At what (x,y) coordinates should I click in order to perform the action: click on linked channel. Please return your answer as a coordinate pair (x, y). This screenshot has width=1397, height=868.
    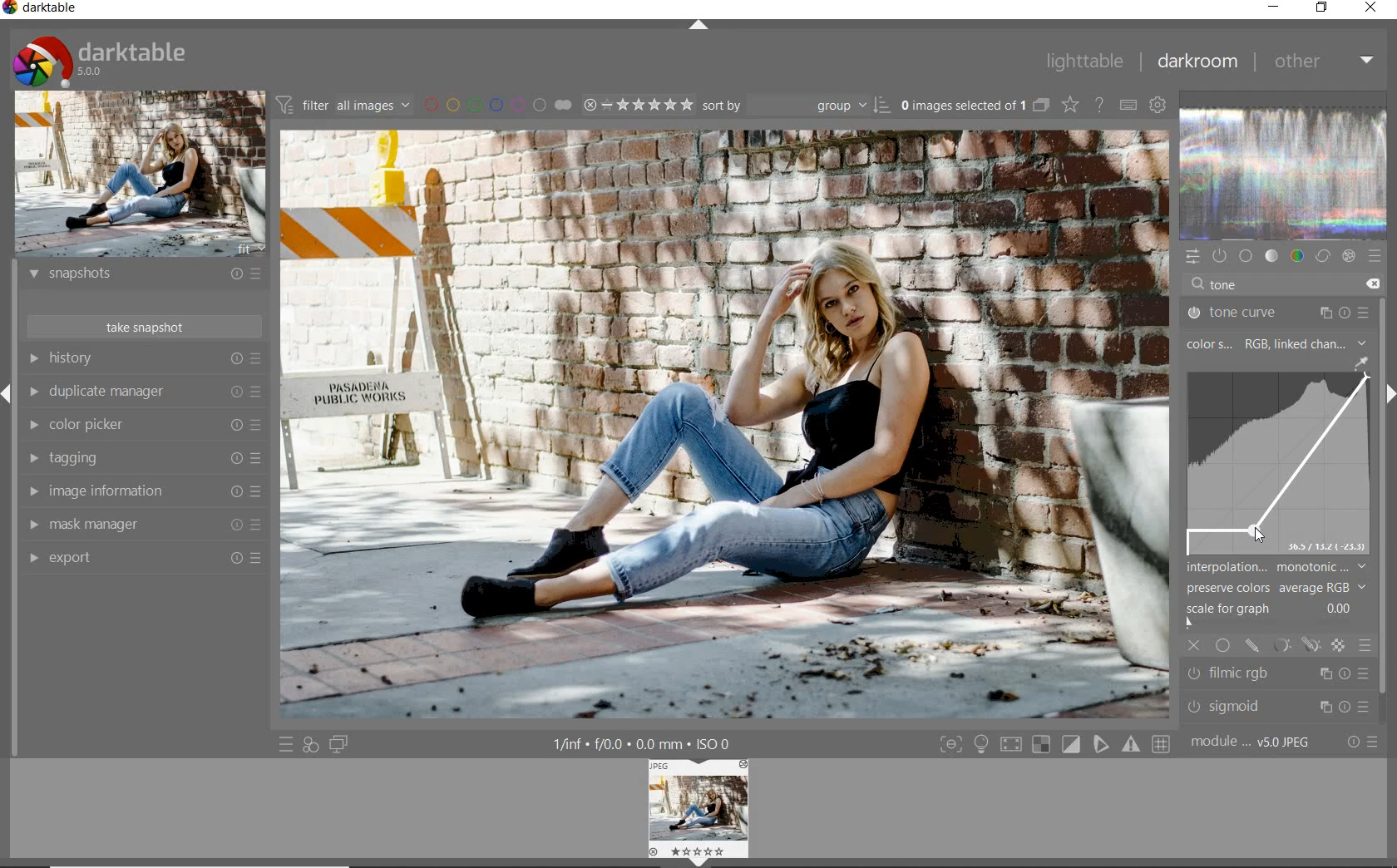
    Looking at the image, I should click on (1325, 343).